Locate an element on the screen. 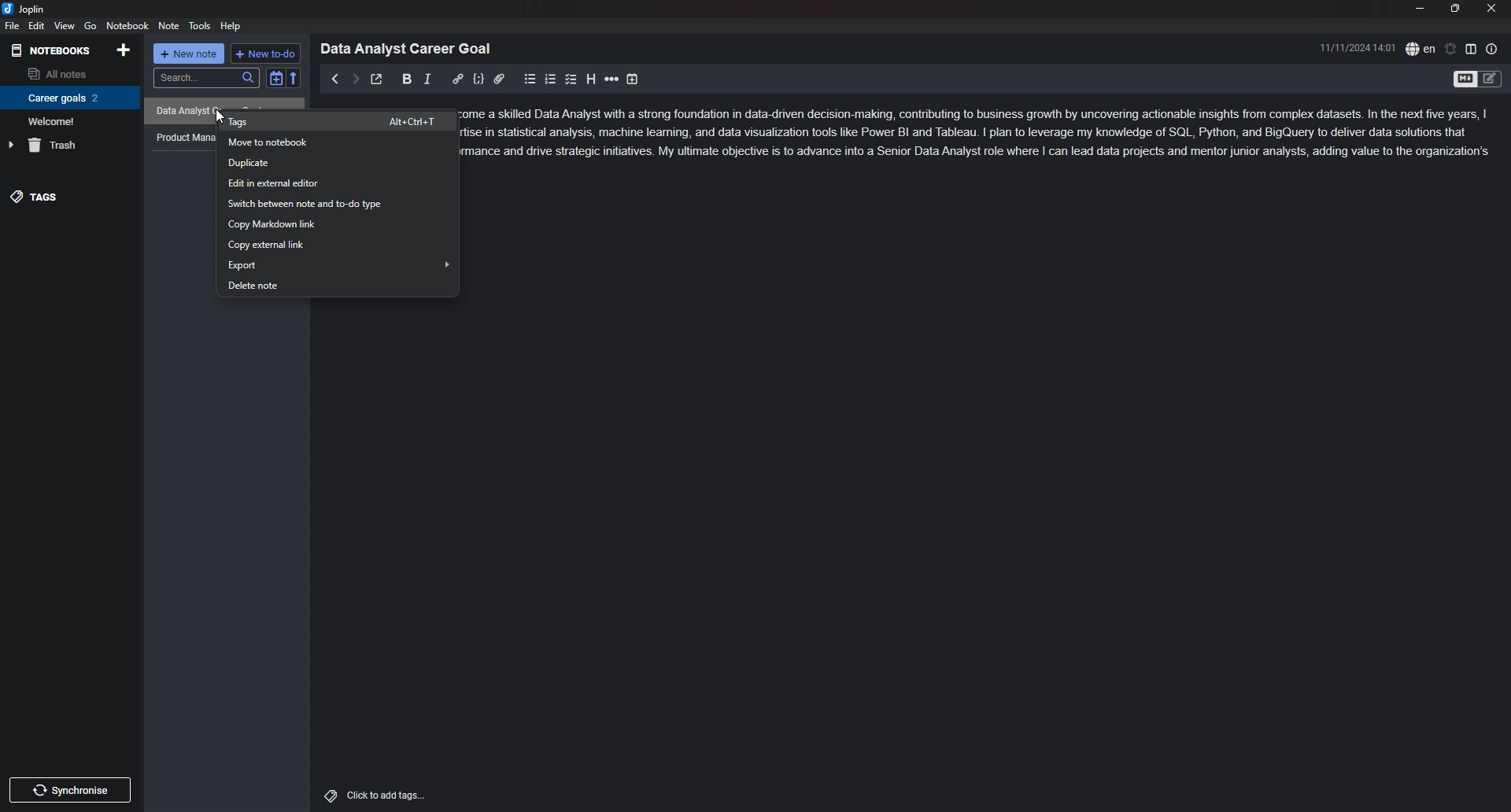 The width and height of the screenshot is (1511, 812). bullet list is located at coordinates (530, 79).